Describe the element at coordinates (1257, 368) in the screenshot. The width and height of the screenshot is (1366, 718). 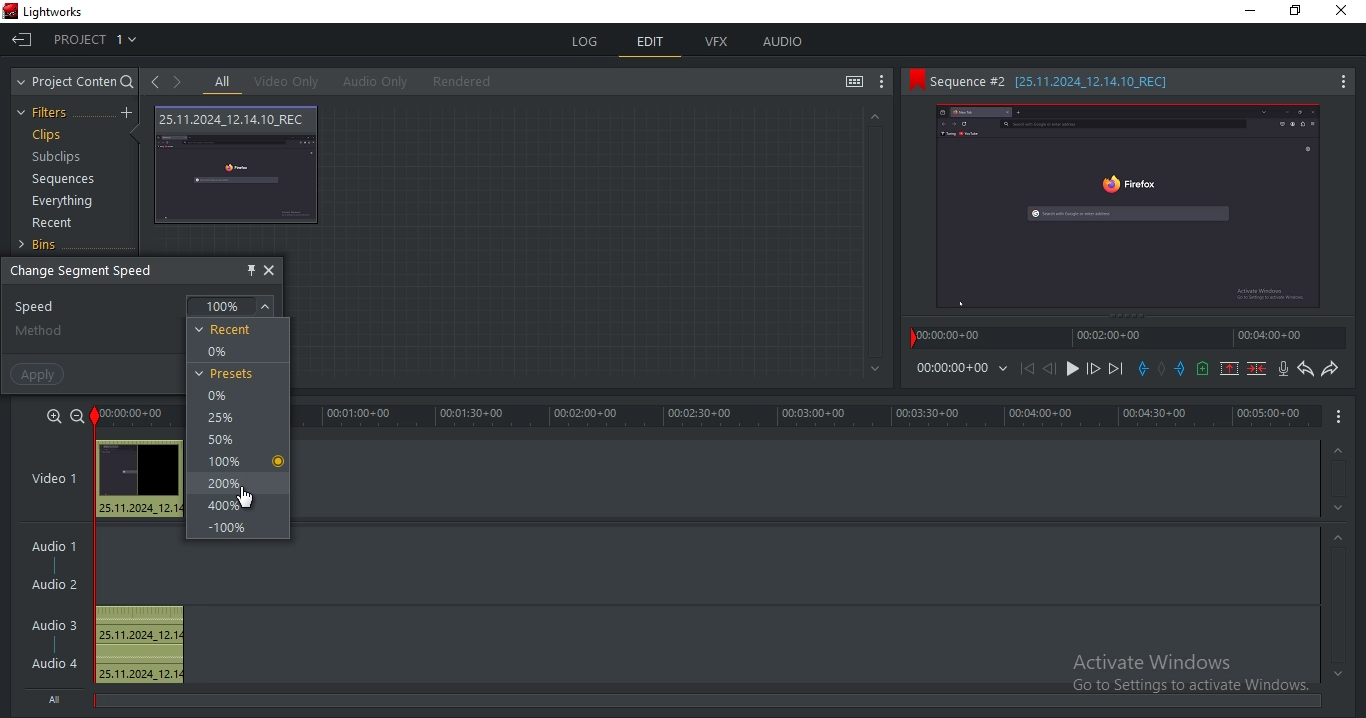
I see `delete the marked section` at that location.